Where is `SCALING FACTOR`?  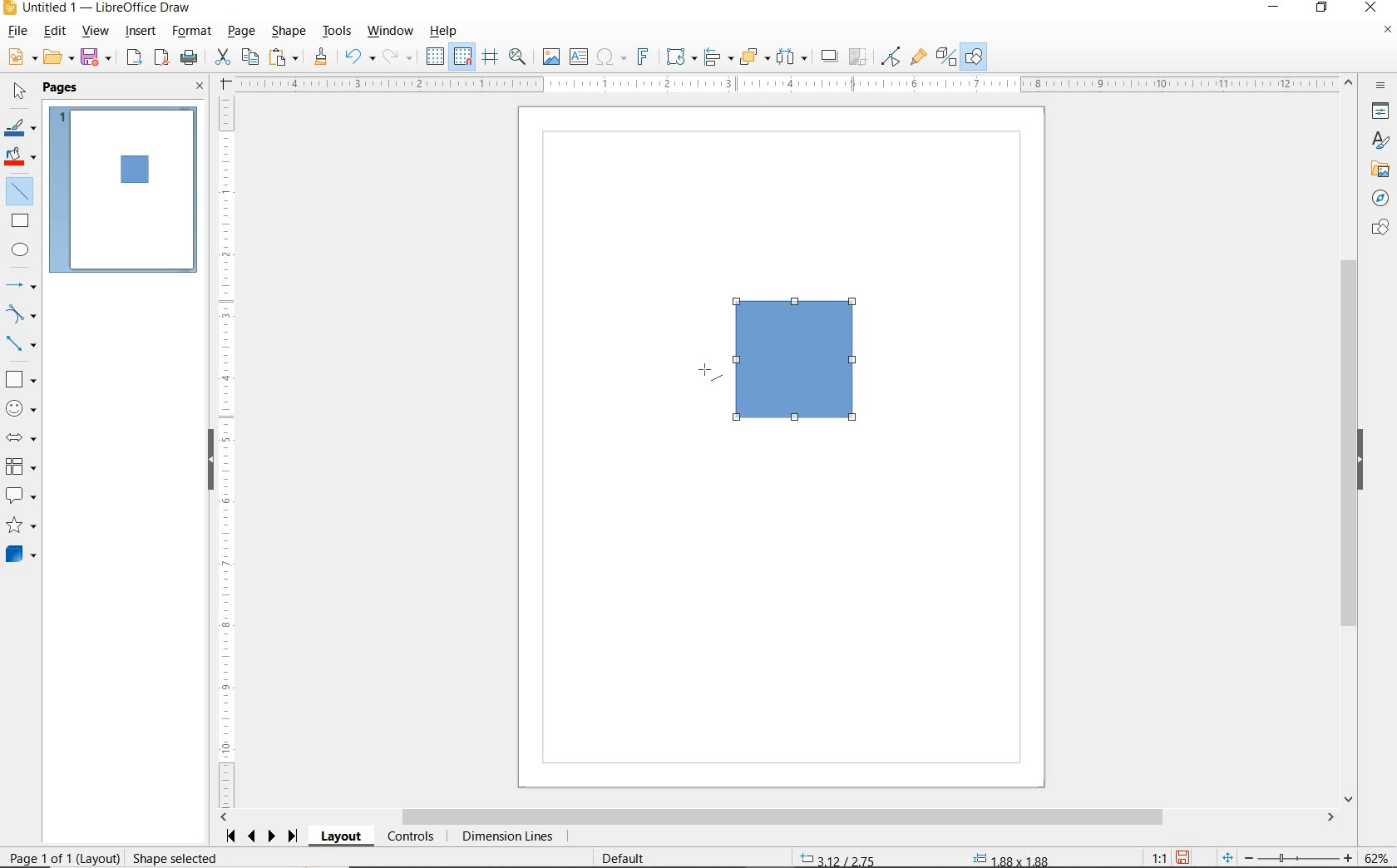
SCALING FACTOR is located at coordinates (1153, 854).